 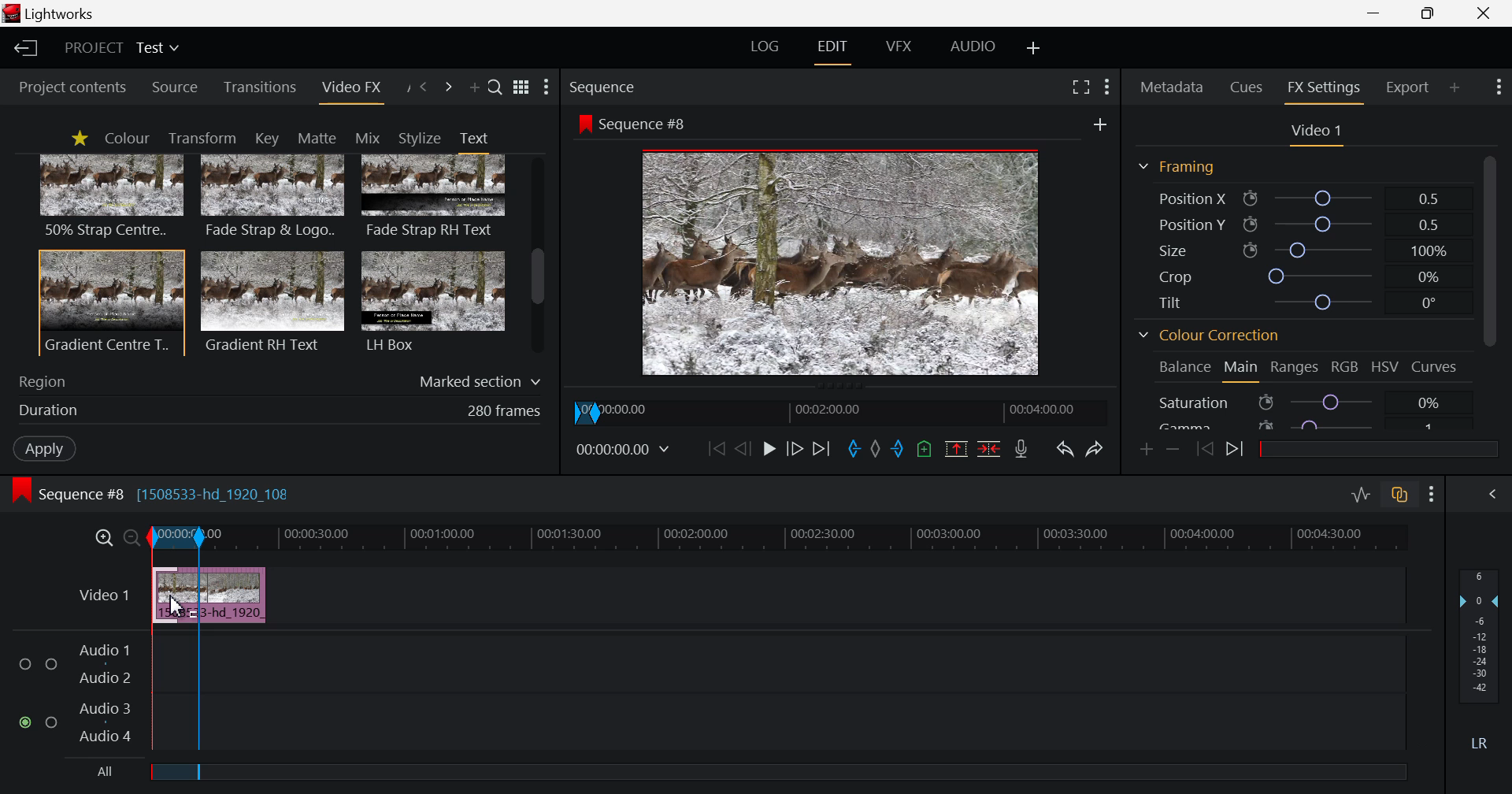 I want to click on Metadata, so click(x=1173, y=84).